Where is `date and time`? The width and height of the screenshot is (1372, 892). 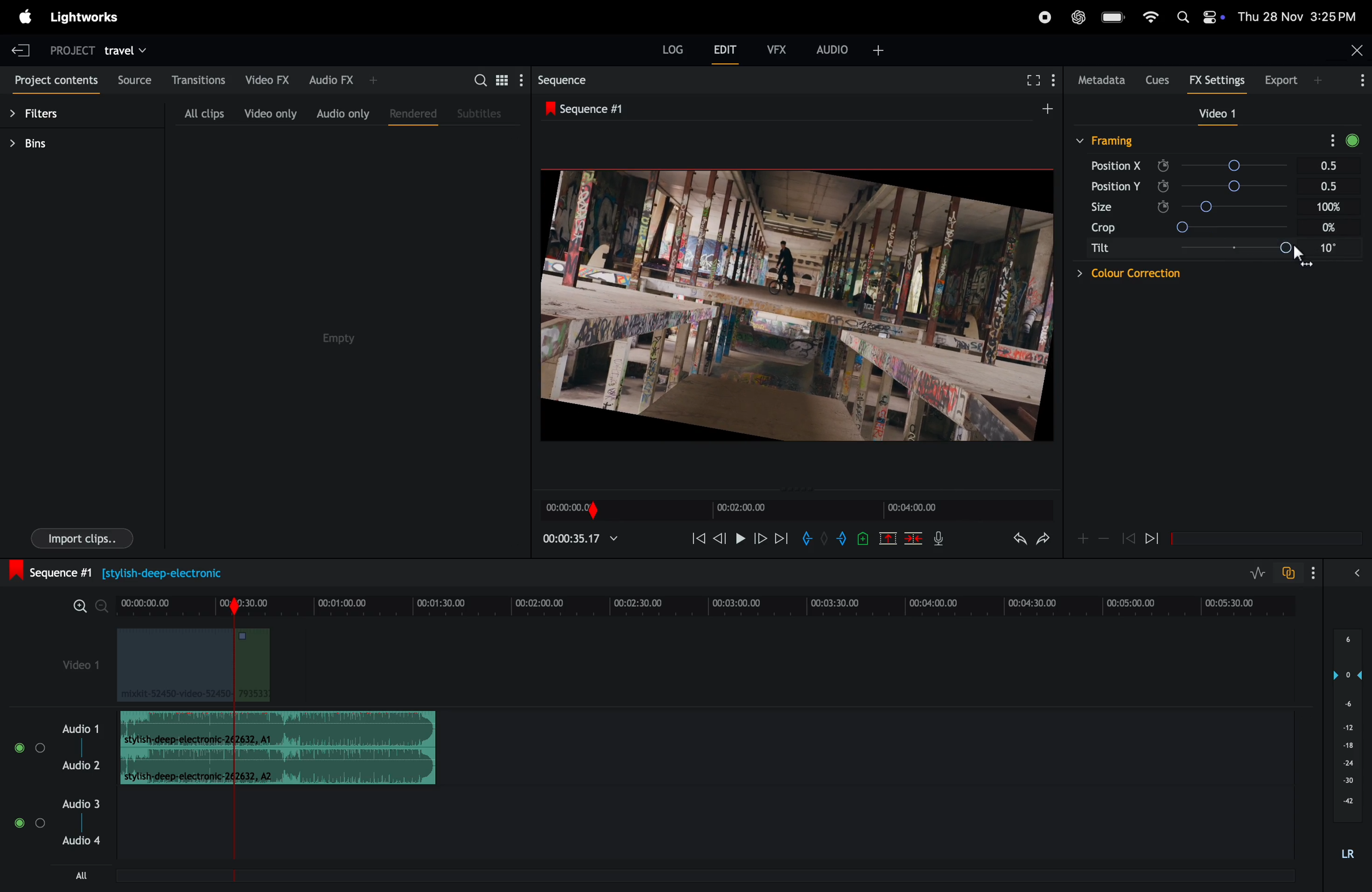 date and time is located at coordinates (1299, 17).